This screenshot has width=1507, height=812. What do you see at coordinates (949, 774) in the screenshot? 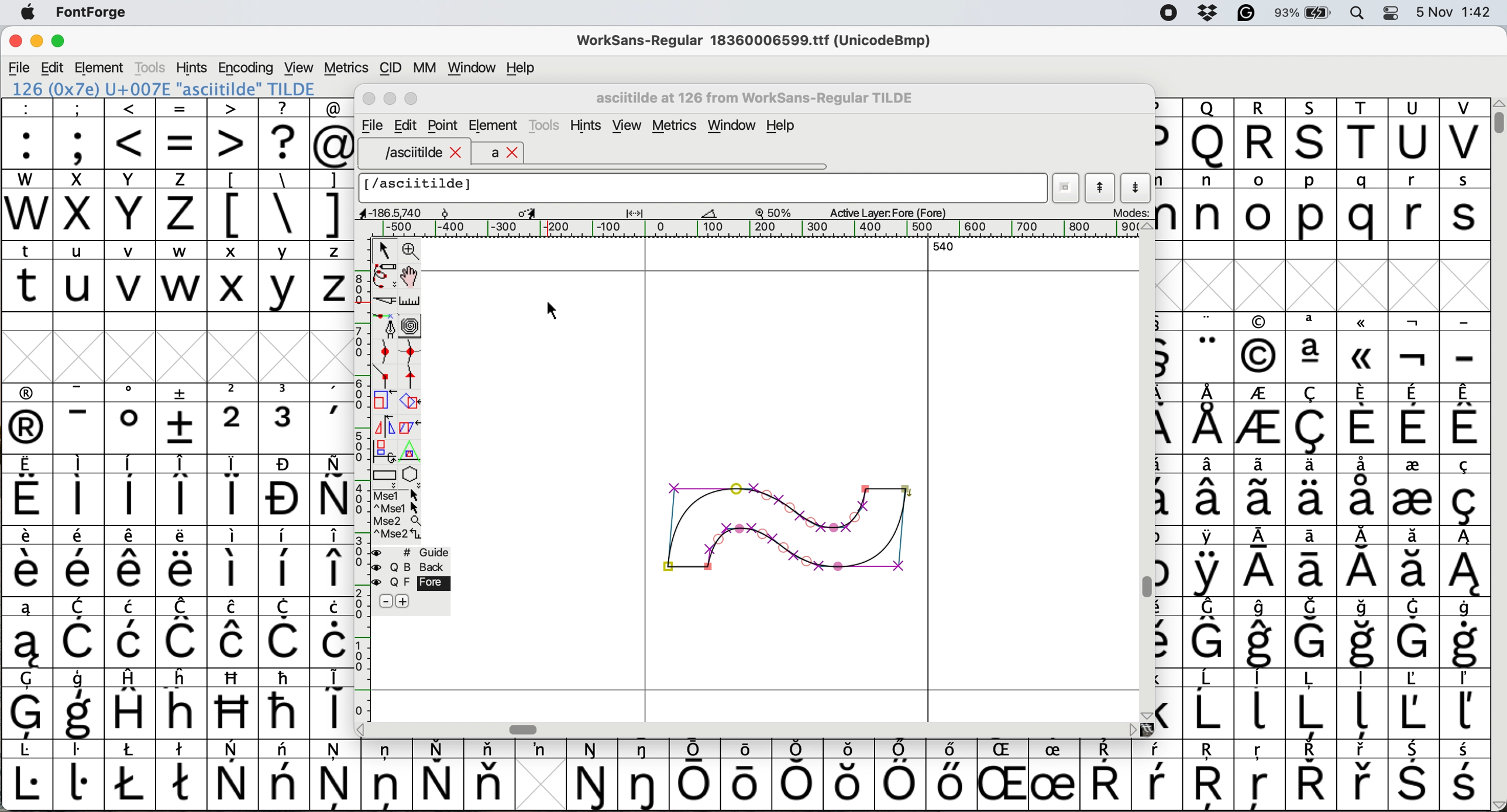
I see `symbol` at bounding box center [949, 774].